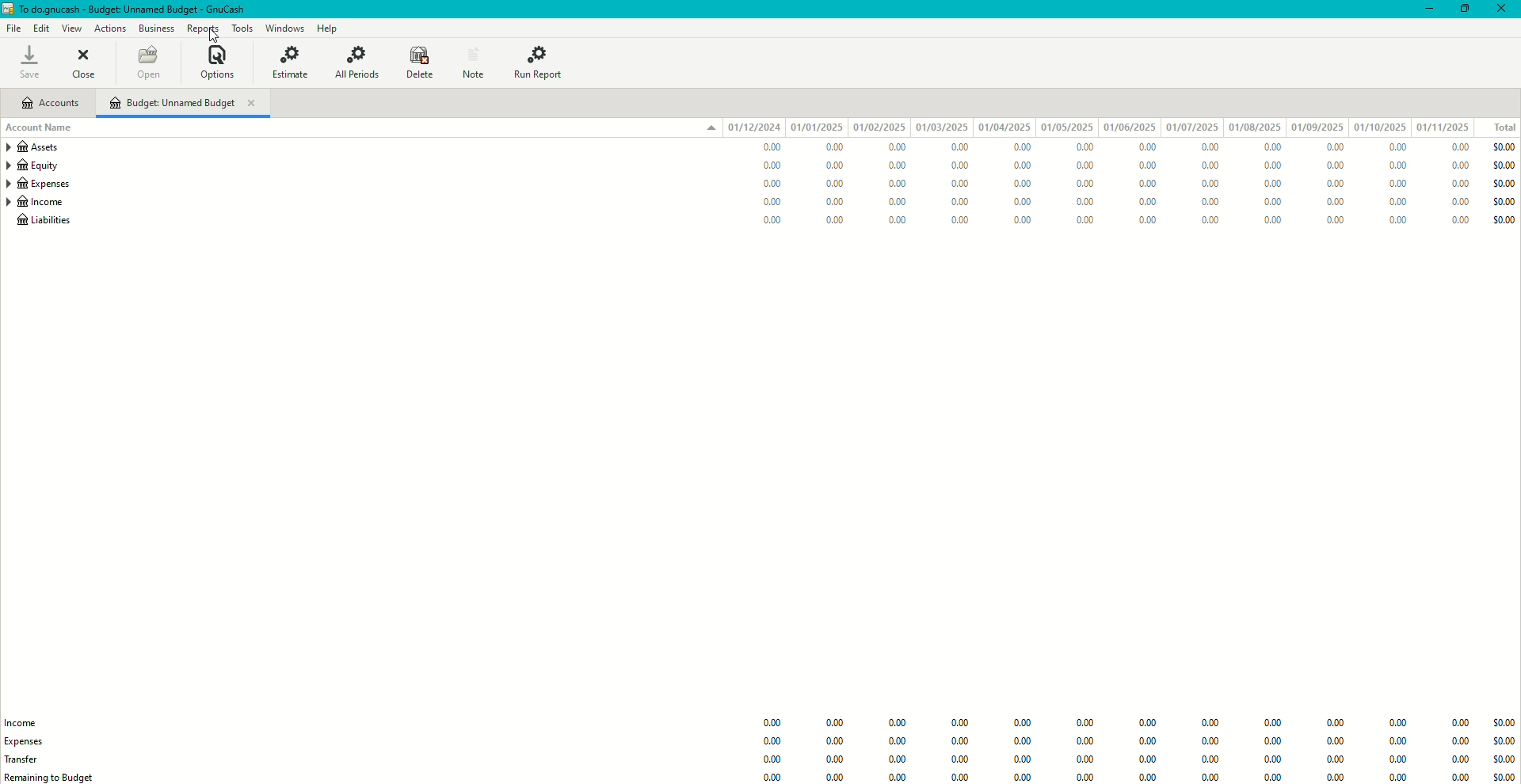  Describe the element at coordinates (217, 62) in the screenshot. I see `Options` at that location.